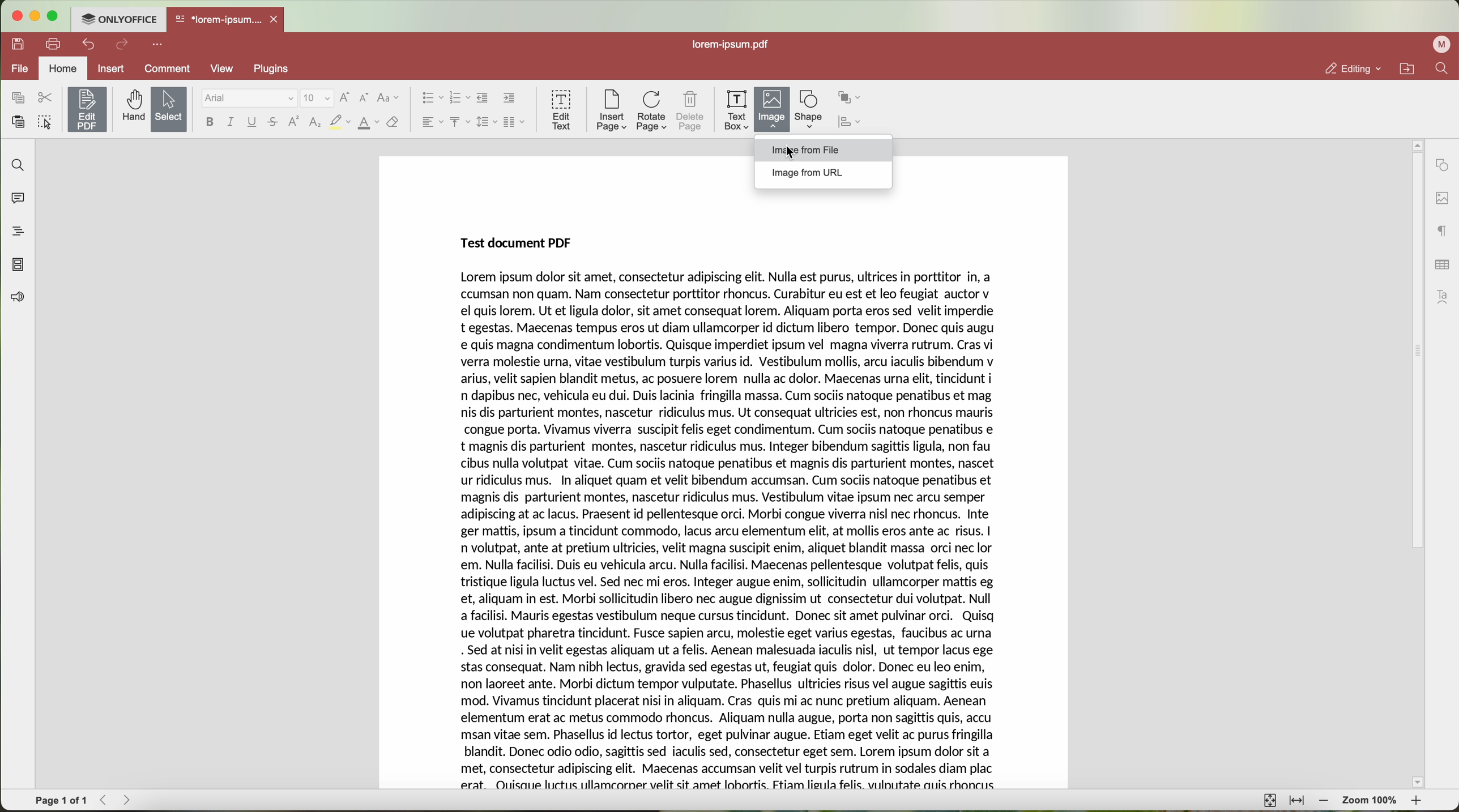 The image size is (1459, 812). Describe the element at coordinates (393, 123) in the screenshot. I see `clear style` at that location.